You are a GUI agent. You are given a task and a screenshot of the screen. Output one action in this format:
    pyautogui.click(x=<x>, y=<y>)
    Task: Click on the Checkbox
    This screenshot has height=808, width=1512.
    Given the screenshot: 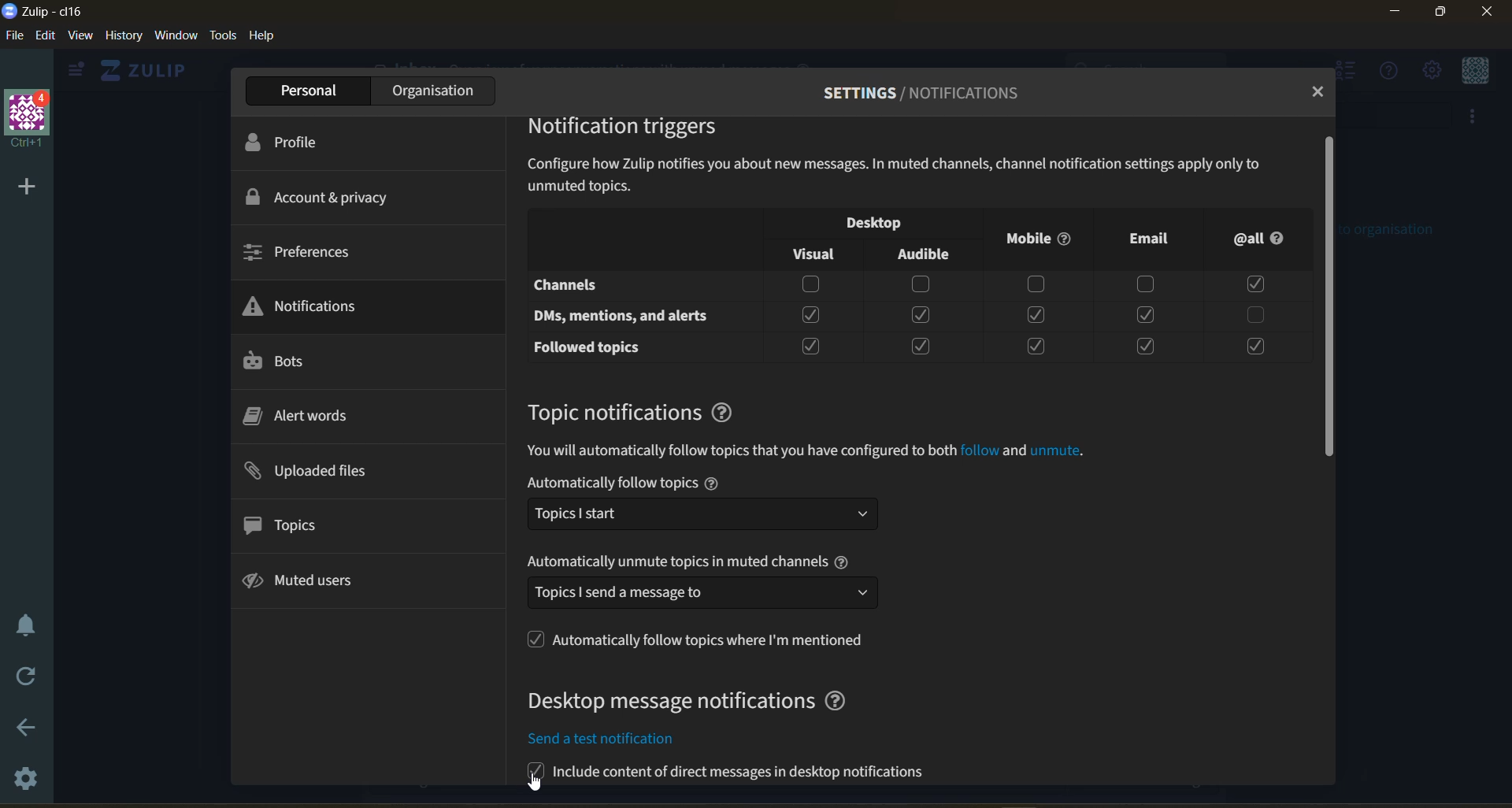 What is the action you would take?
    pyautogui.click(x=921, y=285)
    